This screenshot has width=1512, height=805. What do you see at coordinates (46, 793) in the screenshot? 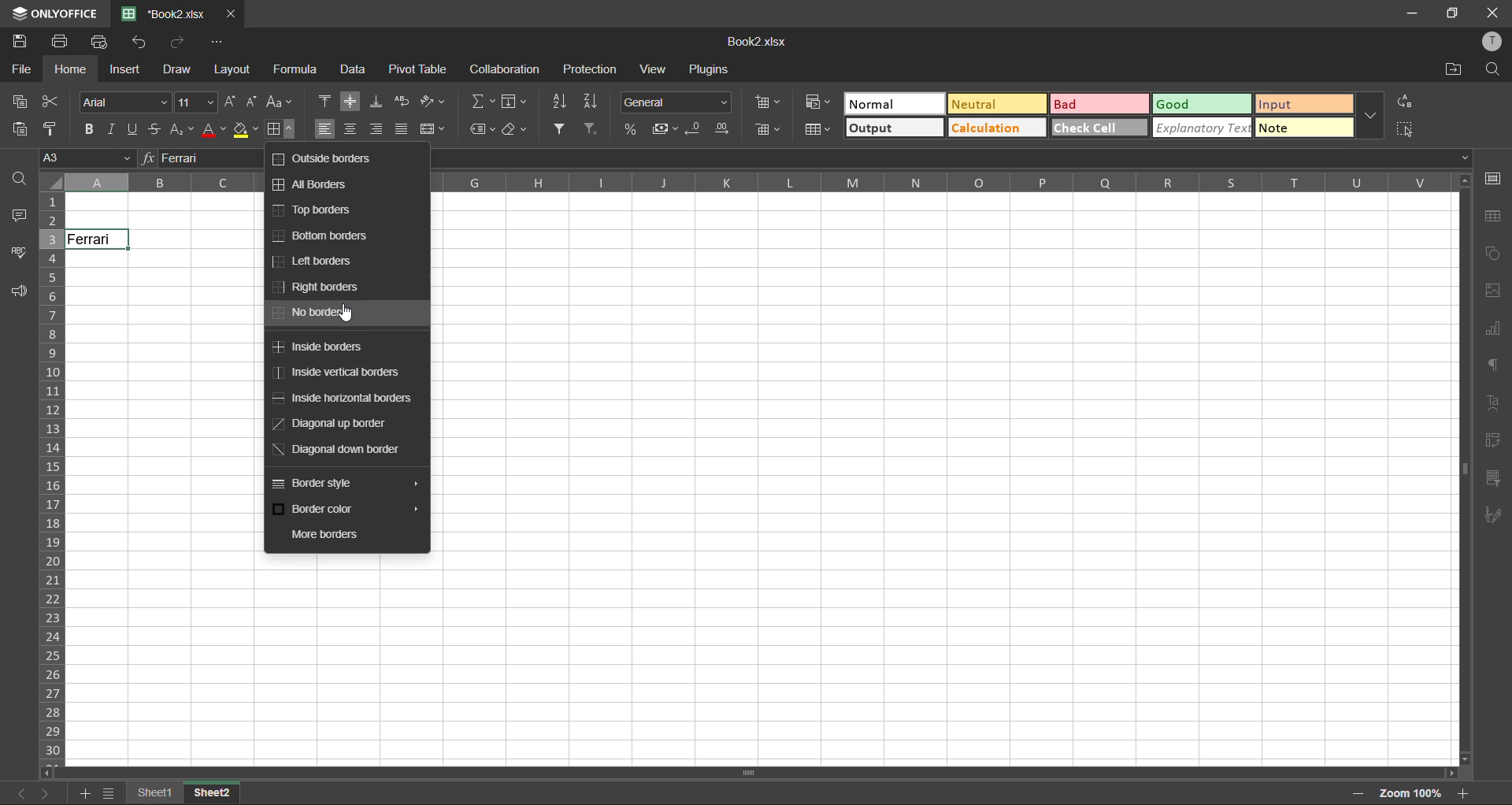
I see `next` at bounding box center [46, 793].